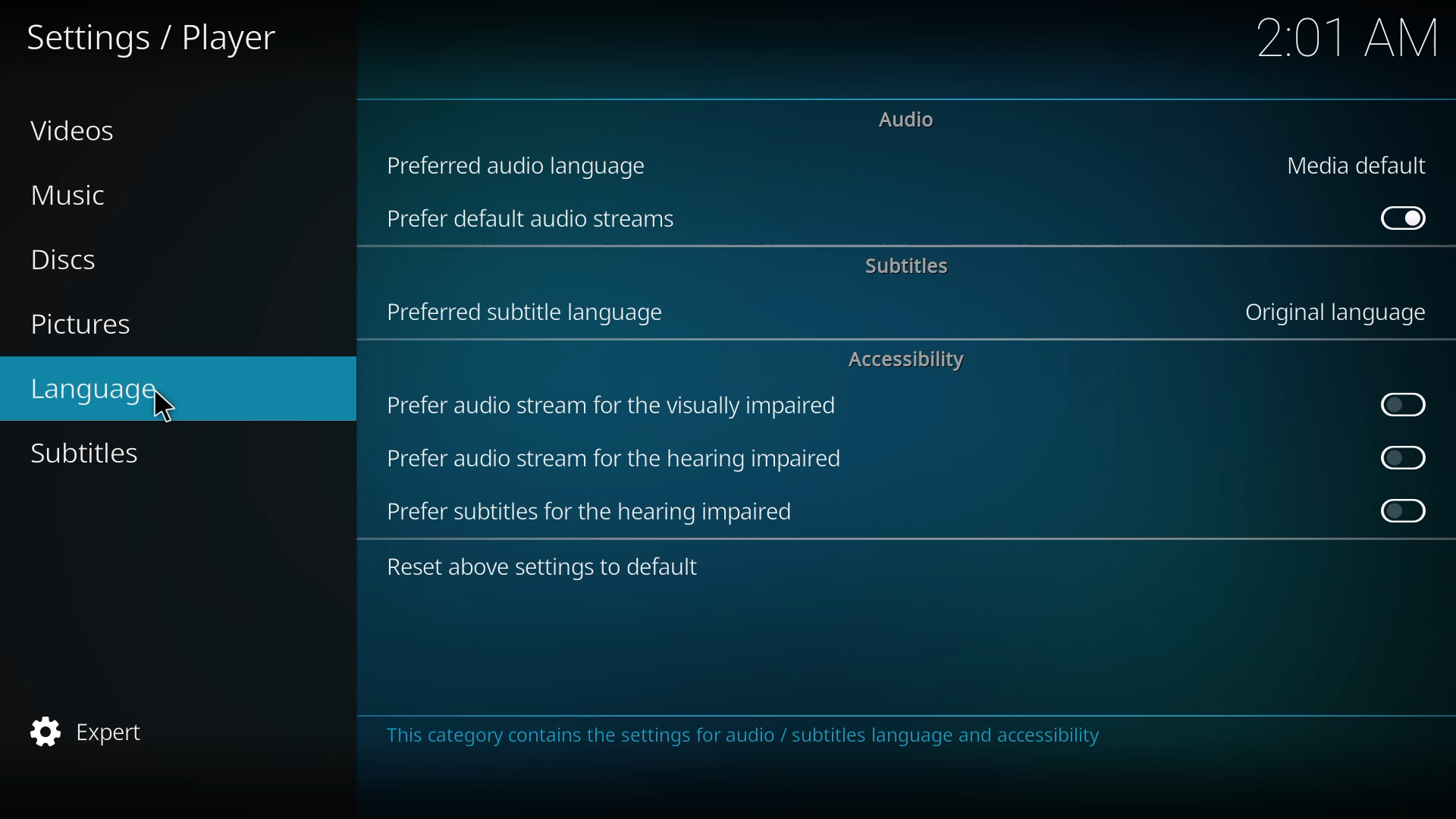 This screenshot has width=1456, height=819. Describe the element at coordinates (1403, 218) in the screenshot. I see `enabled` at that location.